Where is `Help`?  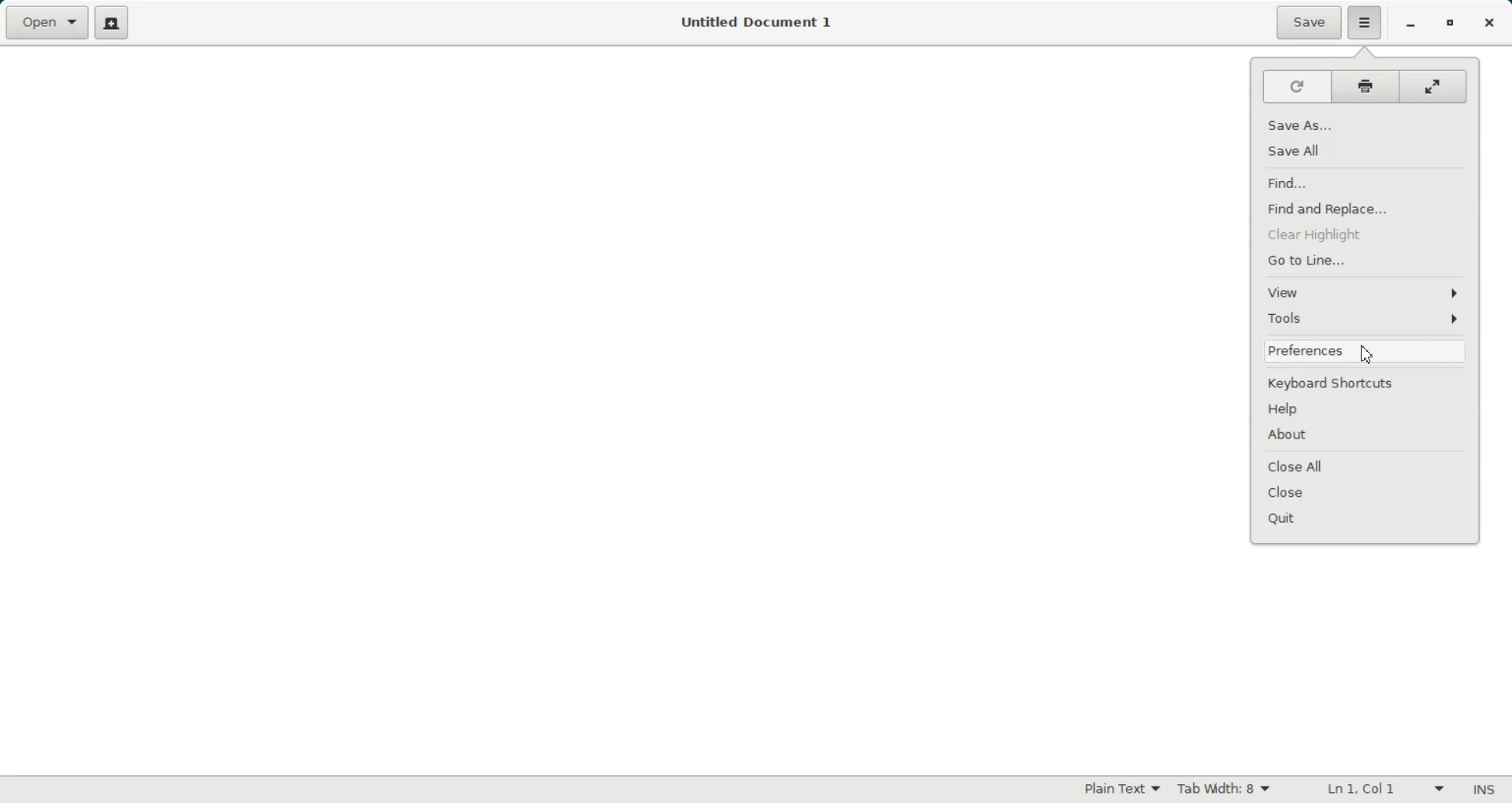 Help is located at coordinates (1366, 408).